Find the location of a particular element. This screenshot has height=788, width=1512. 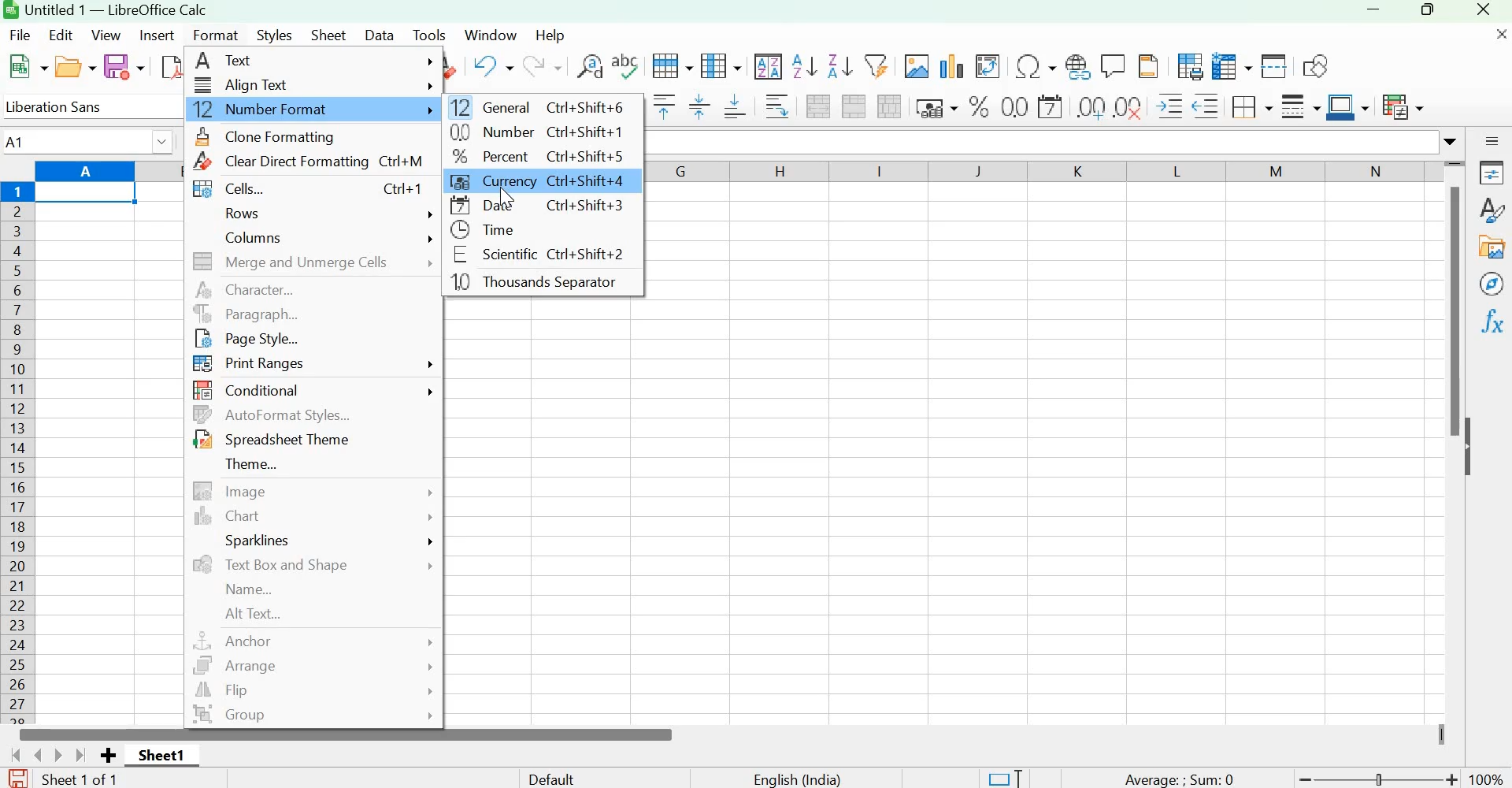

Gallery is located at coordinates (1492, 248).